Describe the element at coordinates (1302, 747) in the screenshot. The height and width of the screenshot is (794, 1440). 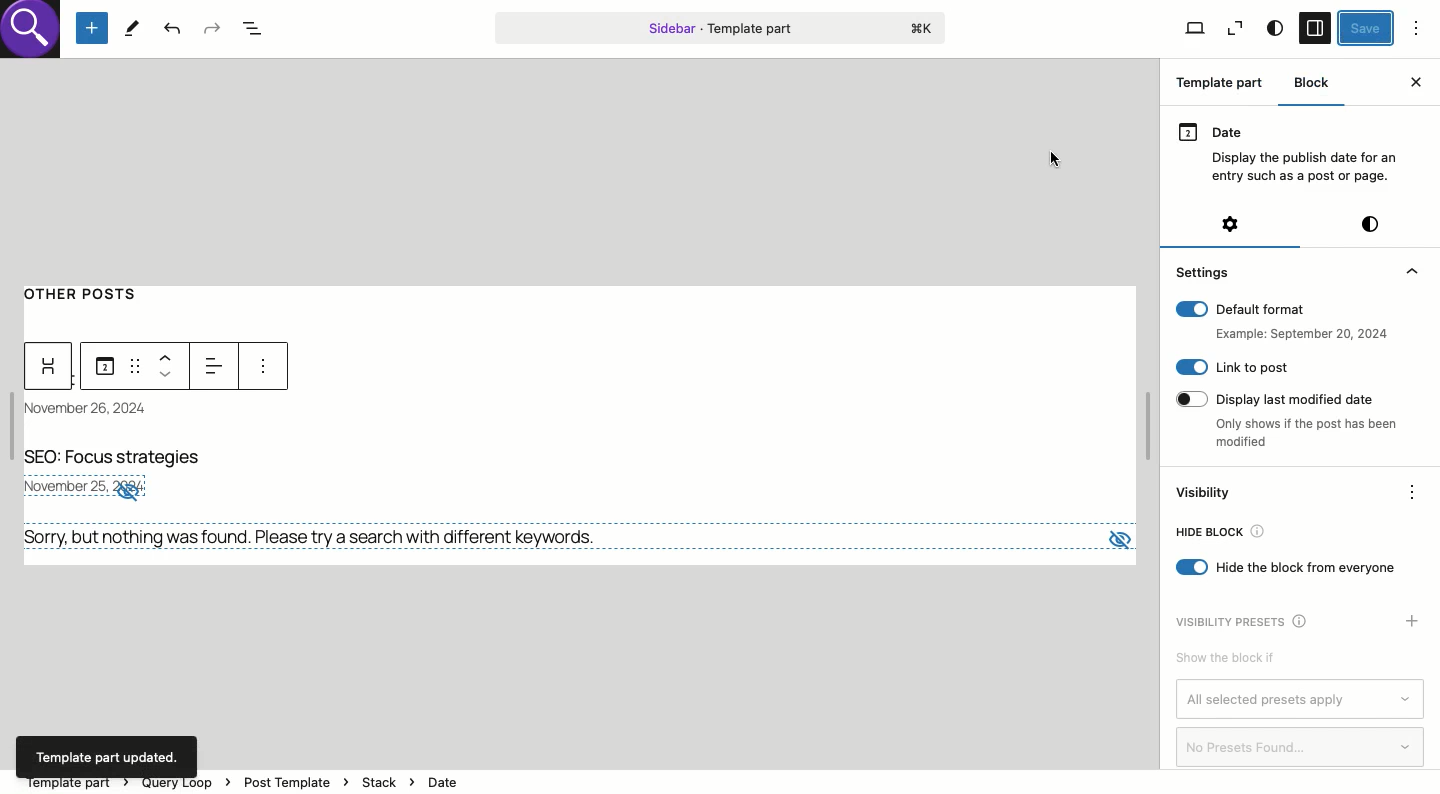
I see `No presets found` at that location.